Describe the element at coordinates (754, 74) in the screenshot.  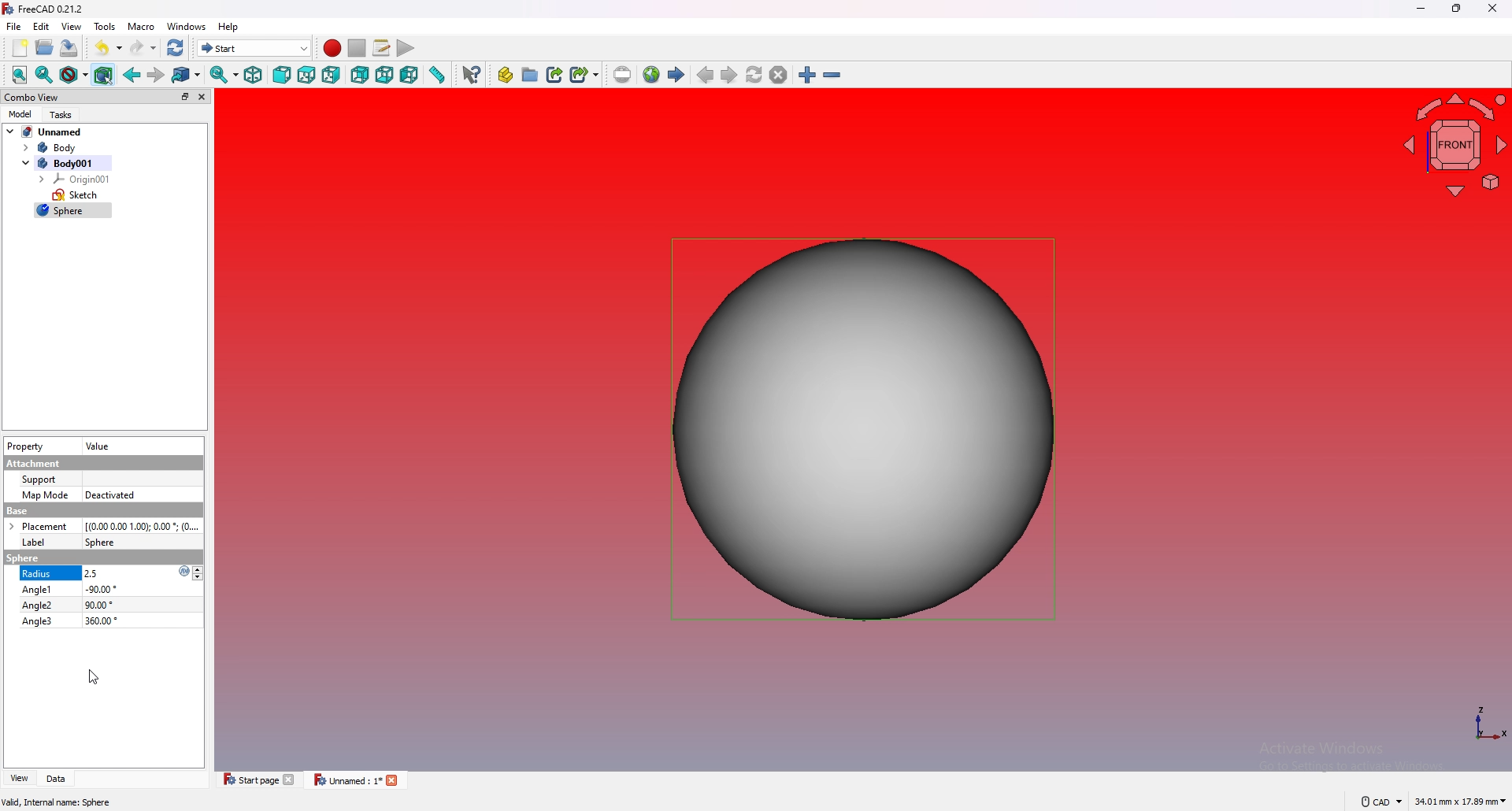
I see `refresh webpage` at that location.